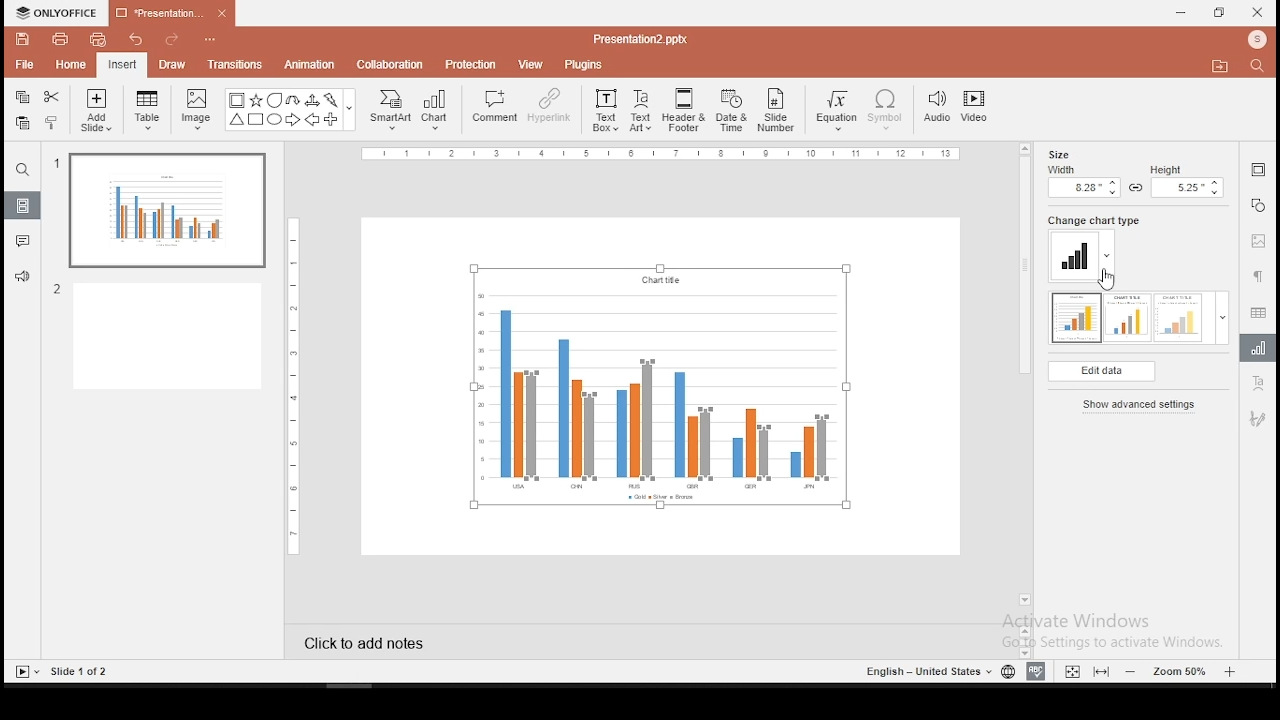  What do you see at coordinates (1256, 169) in the screenshot?
I see `slide settings` at bounding box center [1256, 169].